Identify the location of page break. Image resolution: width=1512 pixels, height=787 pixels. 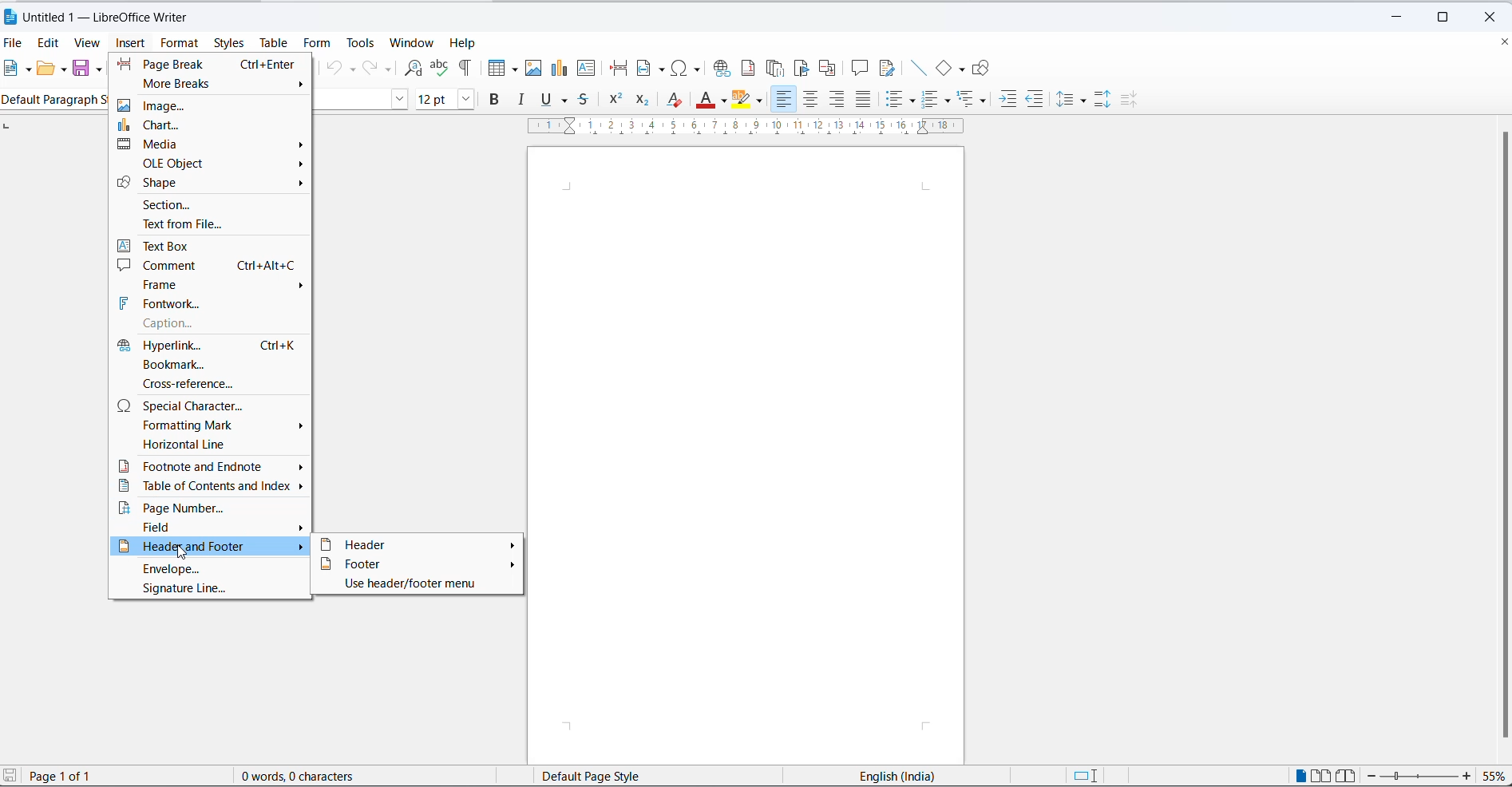
(212, 64).